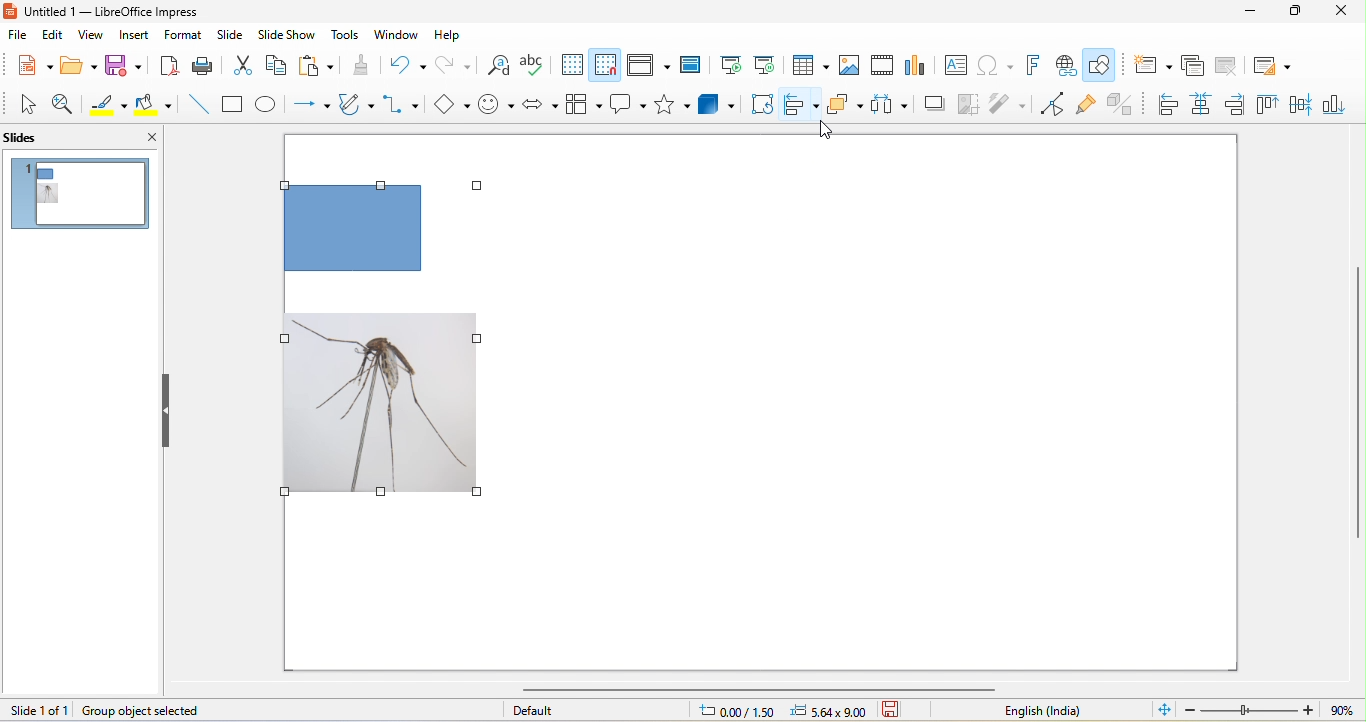 Image resolution: width=1366 pixels, height=722 pixels. Describe the element at coordinates (41, 139) in the screenshot. I see `slides` at that location.